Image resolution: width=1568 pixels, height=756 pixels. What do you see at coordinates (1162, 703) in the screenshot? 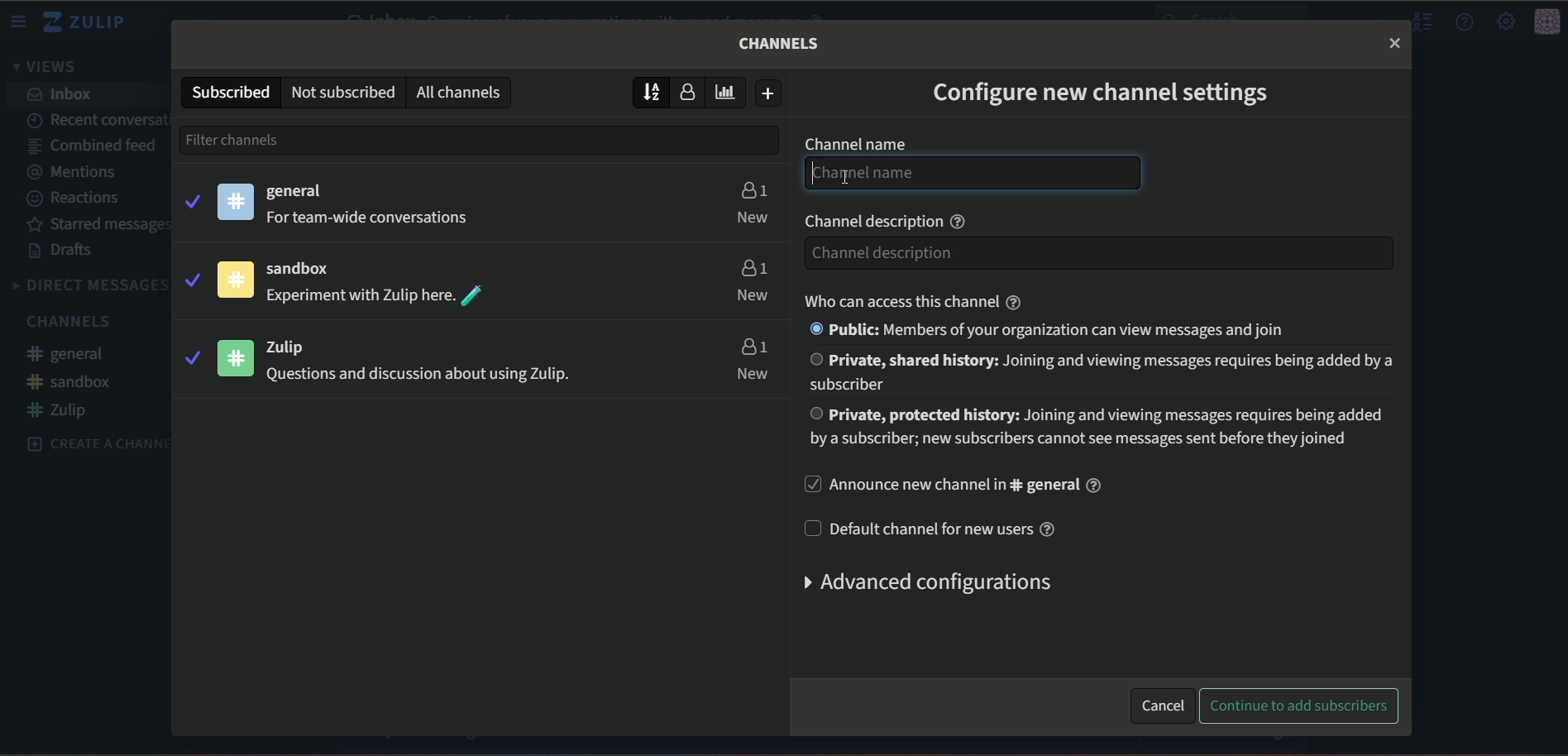
I see `cancel` at bounding box center [1162, 703].